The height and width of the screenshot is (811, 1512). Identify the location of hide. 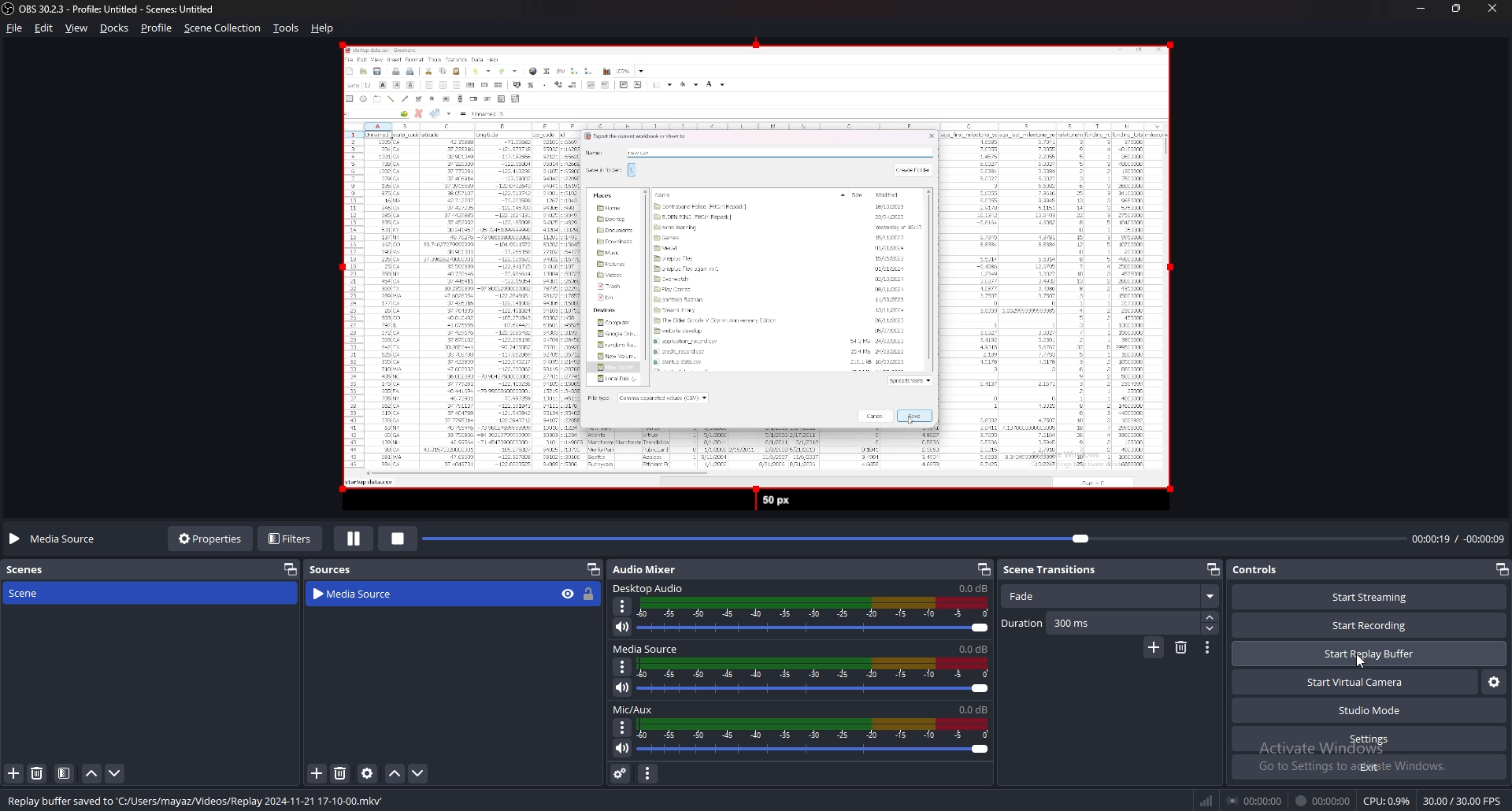
(568, 594).